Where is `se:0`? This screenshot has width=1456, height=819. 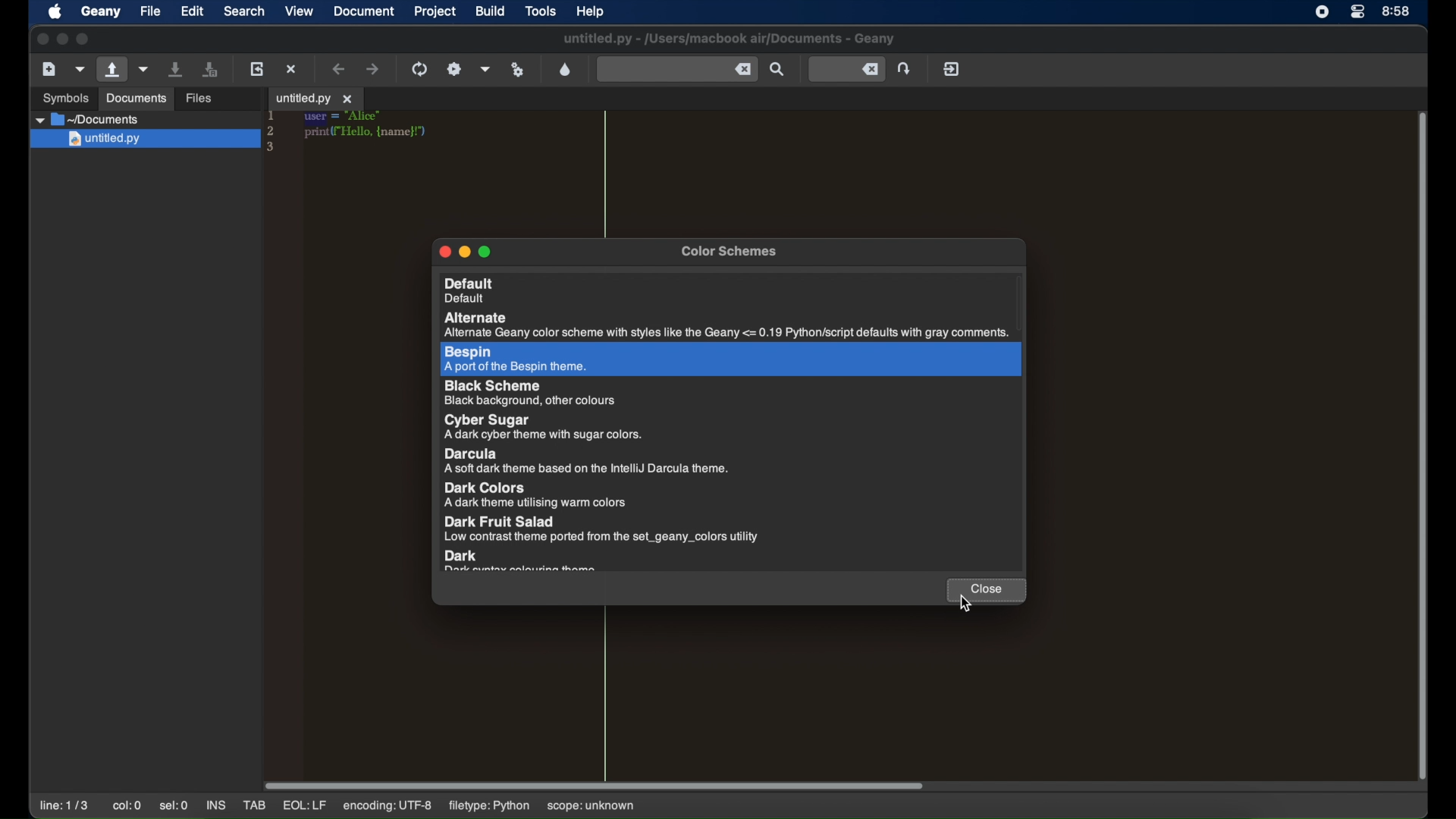 se:0 is located at coordinates (174, 805).